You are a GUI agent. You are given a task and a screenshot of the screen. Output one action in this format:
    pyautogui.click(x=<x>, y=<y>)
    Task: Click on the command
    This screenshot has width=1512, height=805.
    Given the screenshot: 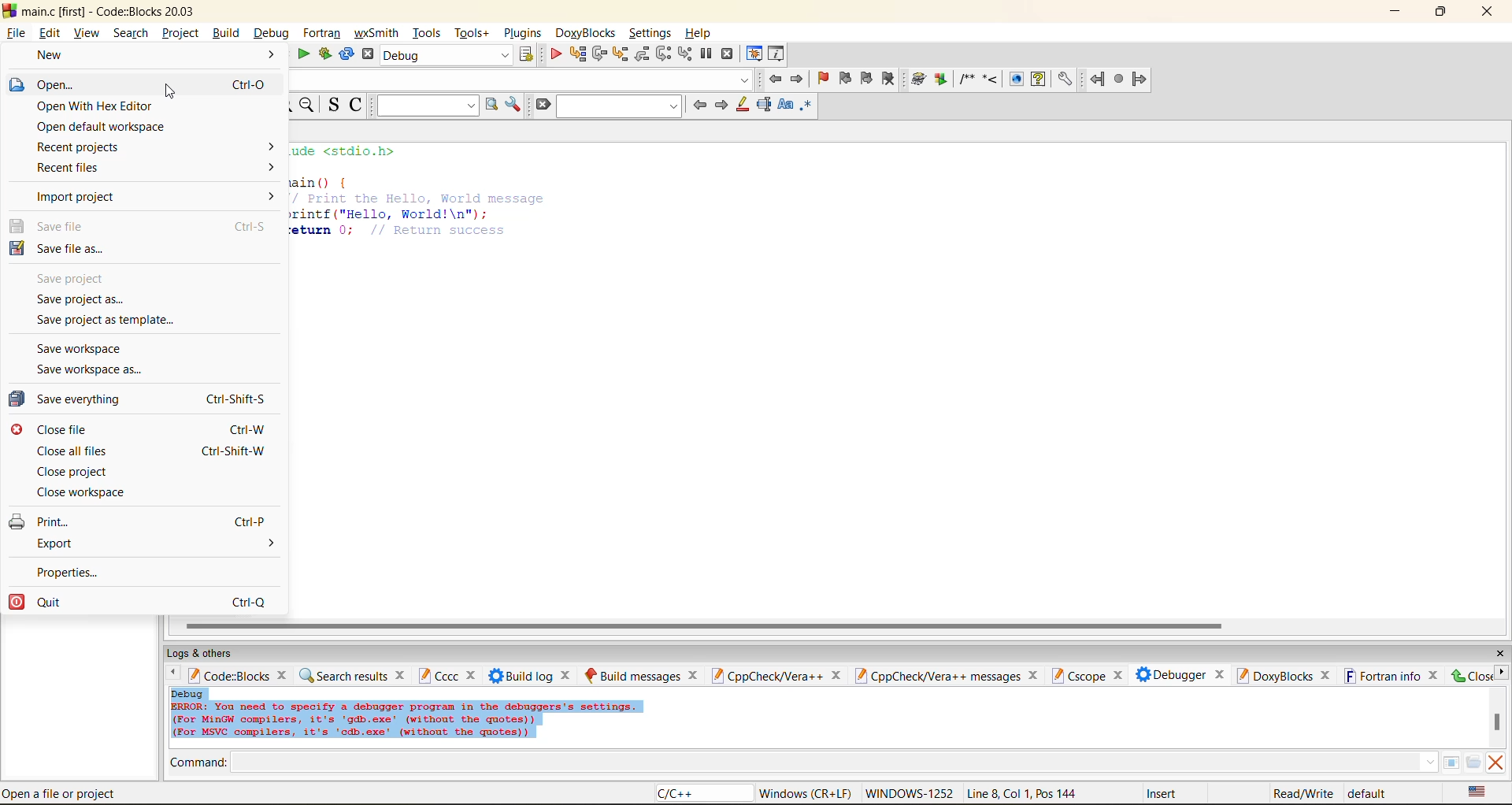 What is the action you would take?
    pyautogui.click(x=198, y=764)
    